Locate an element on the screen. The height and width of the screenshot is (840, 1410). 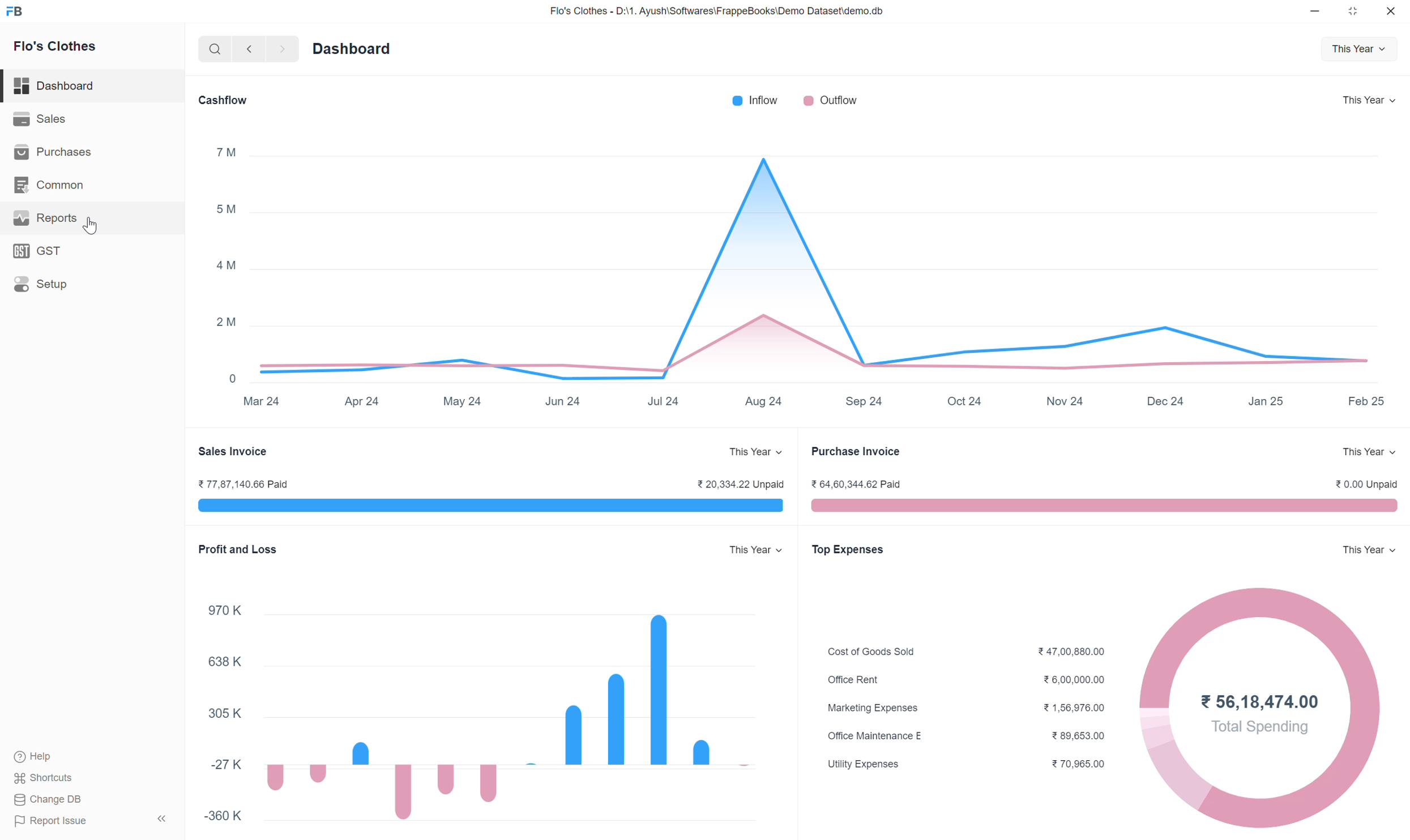
apr 24 is located at coordinates (361, 401).